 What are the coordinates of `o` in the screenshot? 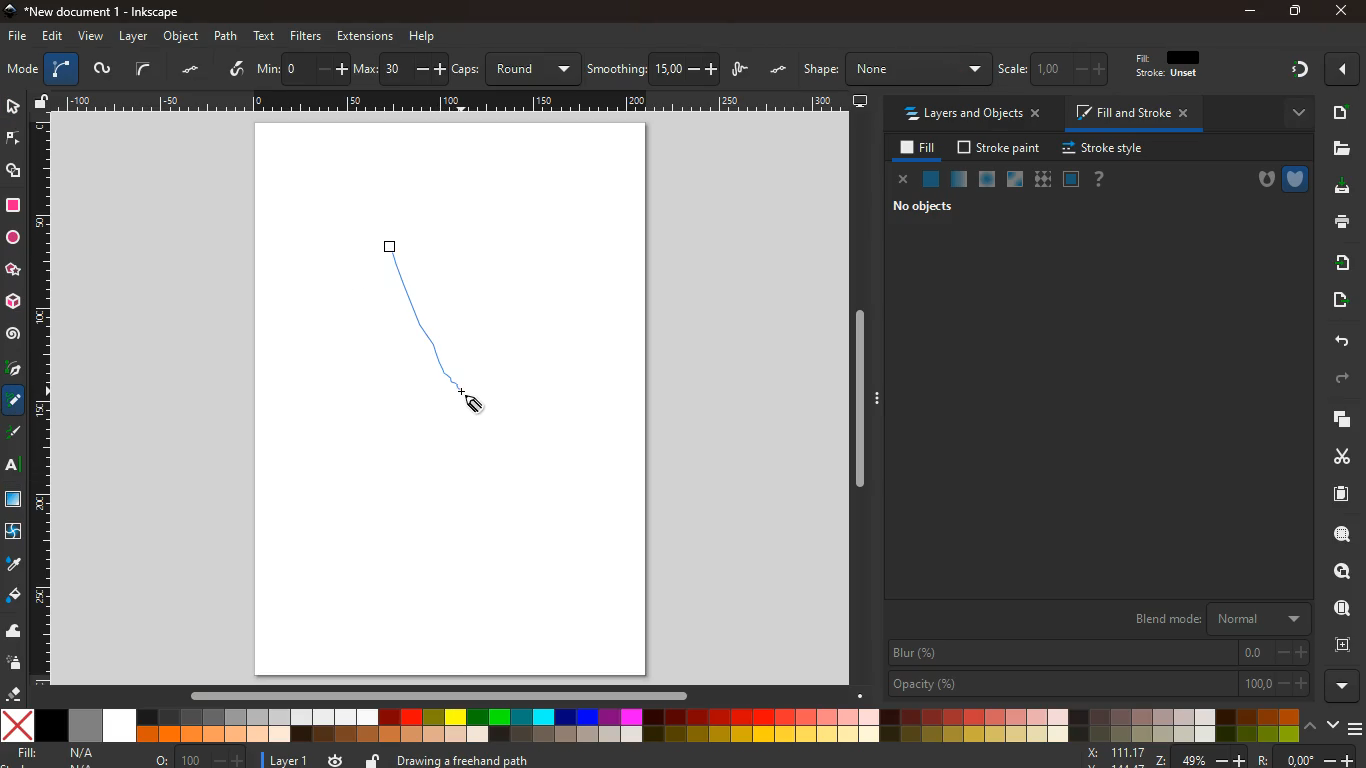 It's located at (200, 759).